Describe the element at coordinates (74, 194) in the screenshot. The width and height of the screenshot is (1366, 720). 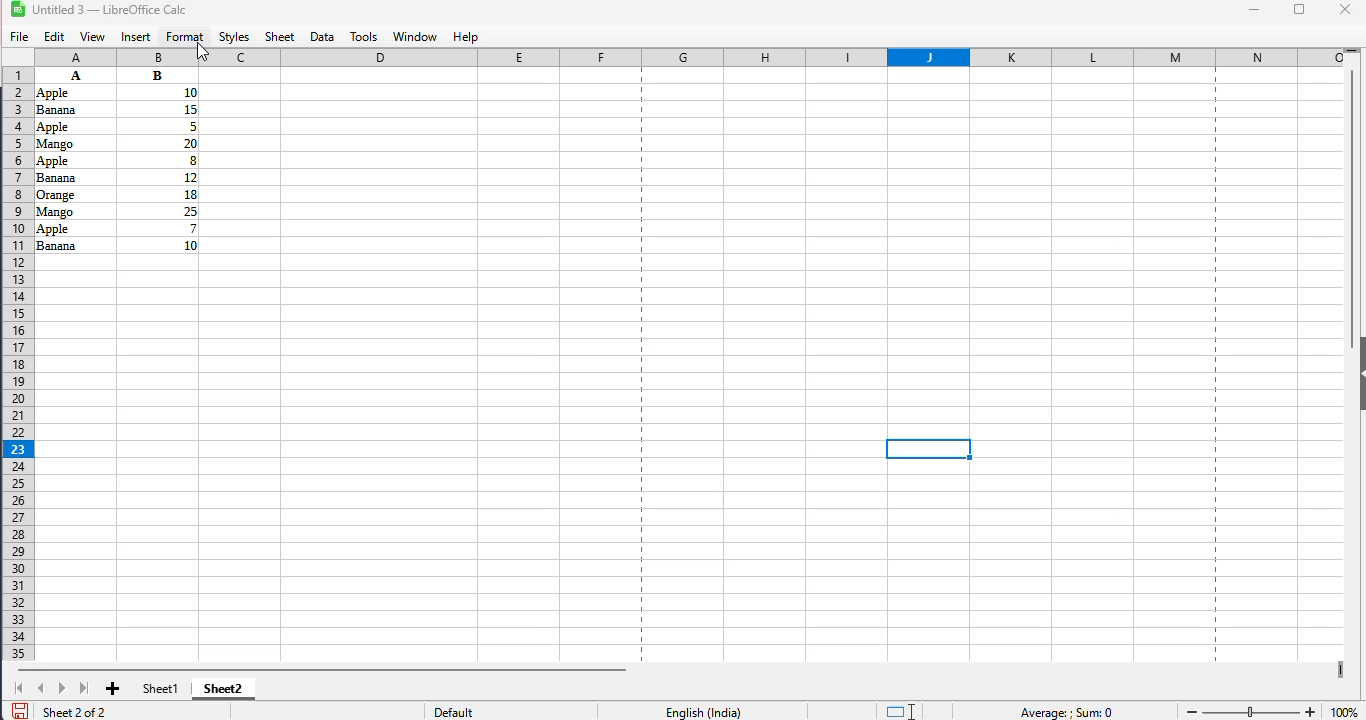
I see `` at that location.